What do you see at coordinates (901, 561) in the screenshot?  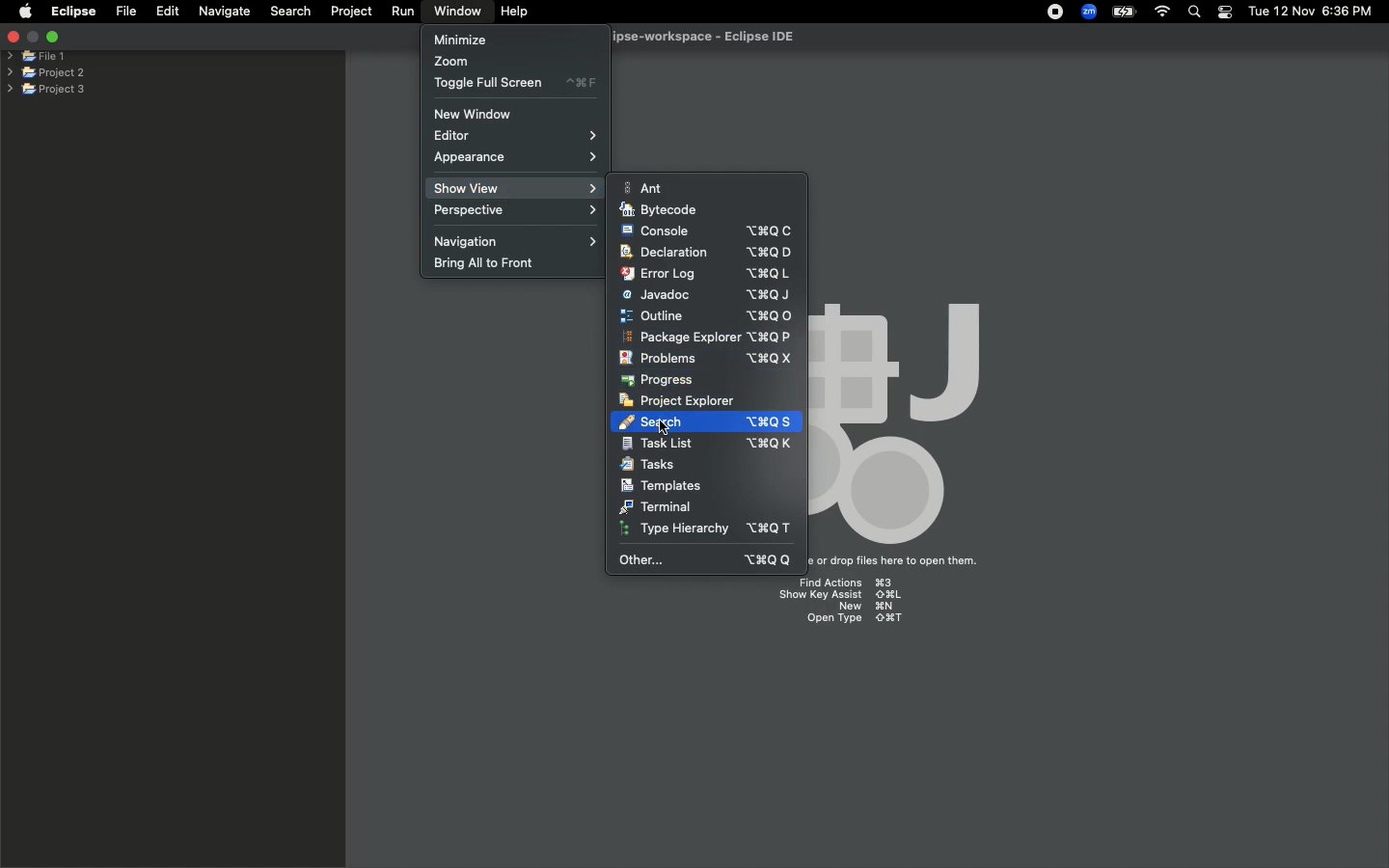 I see `Drag files here to open them` at bounding box center [901, 561].